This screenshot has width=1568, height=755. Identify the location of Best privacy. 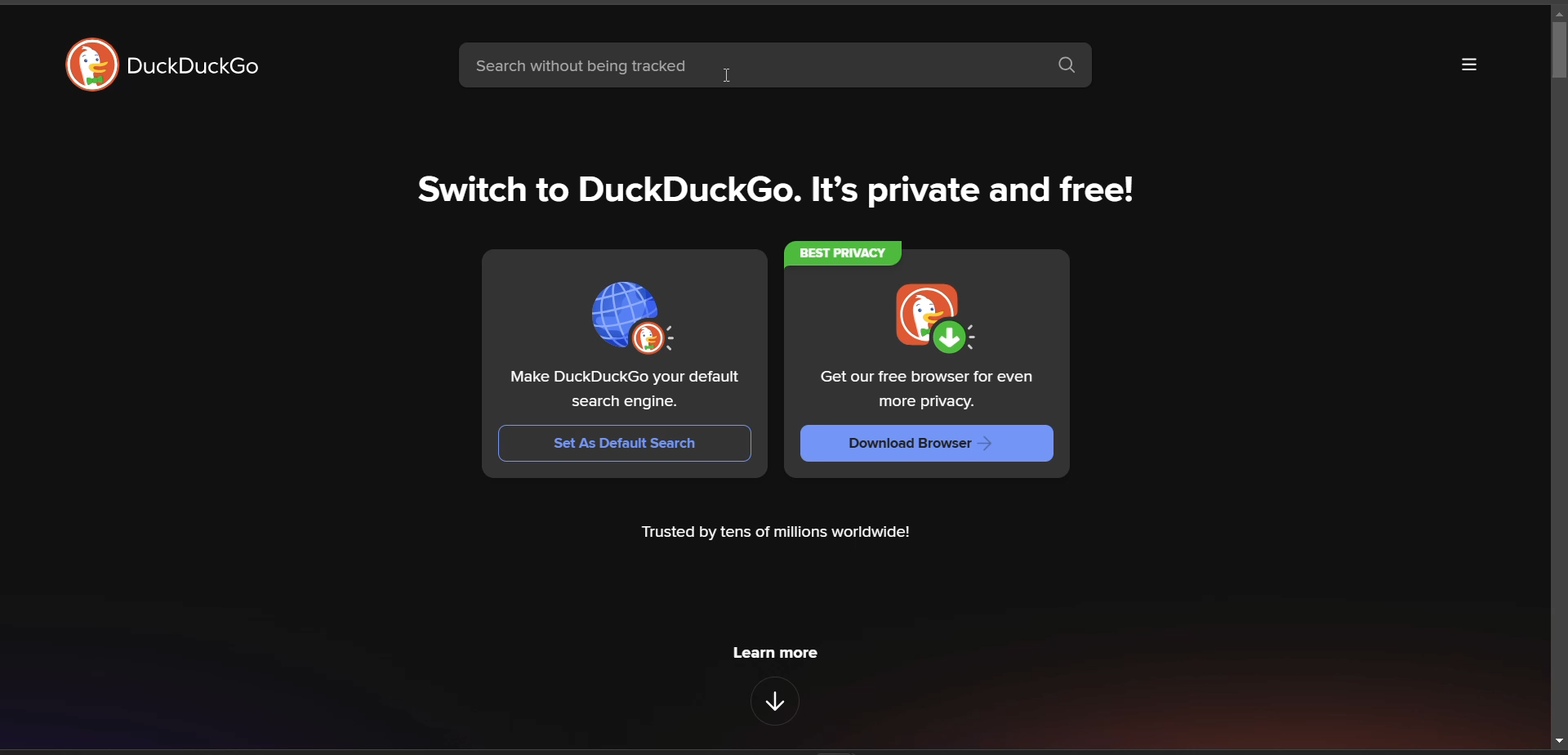
(848, 251).